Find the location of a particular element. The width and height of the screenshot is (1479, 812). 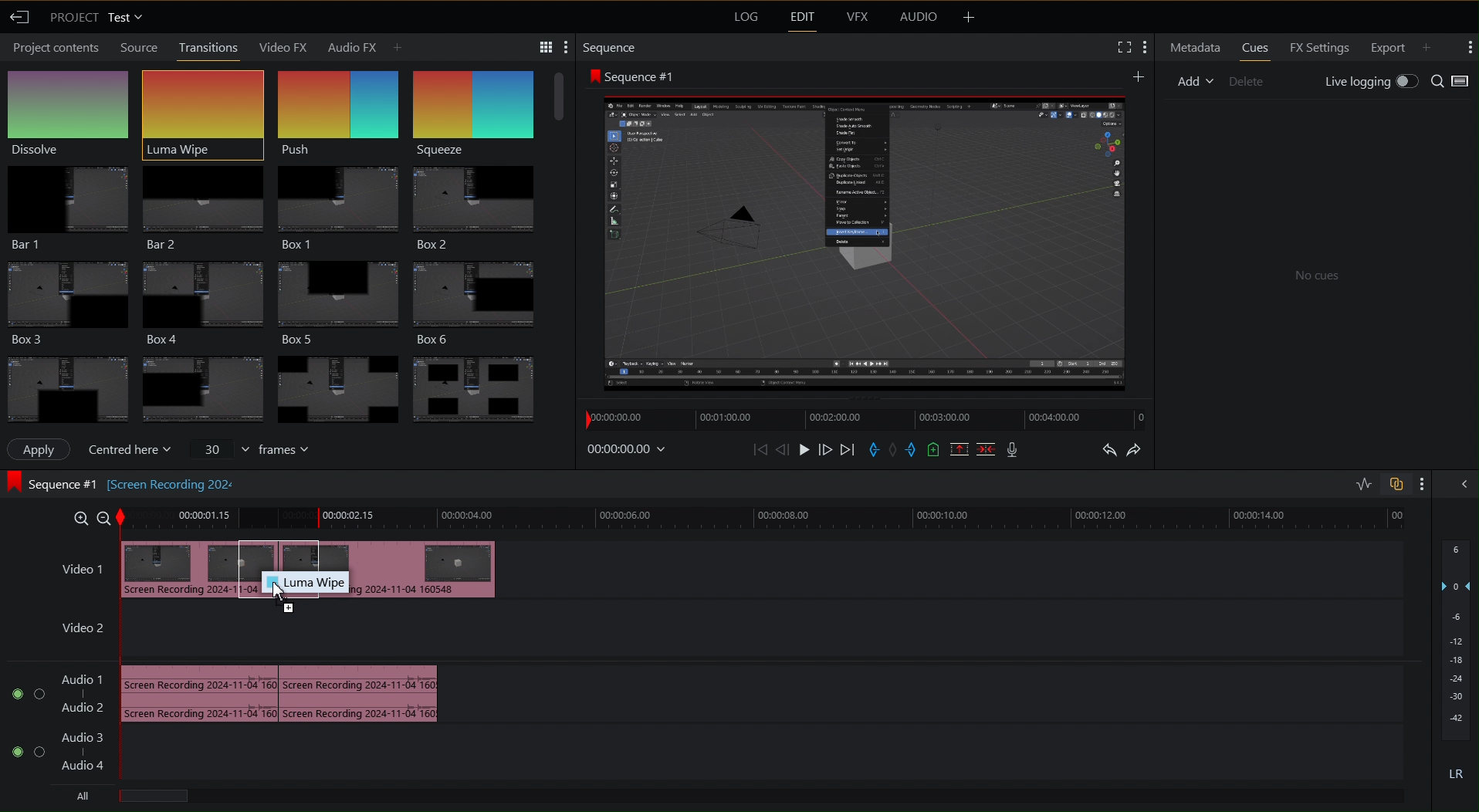

Settings is located at coordinates (540, 46).